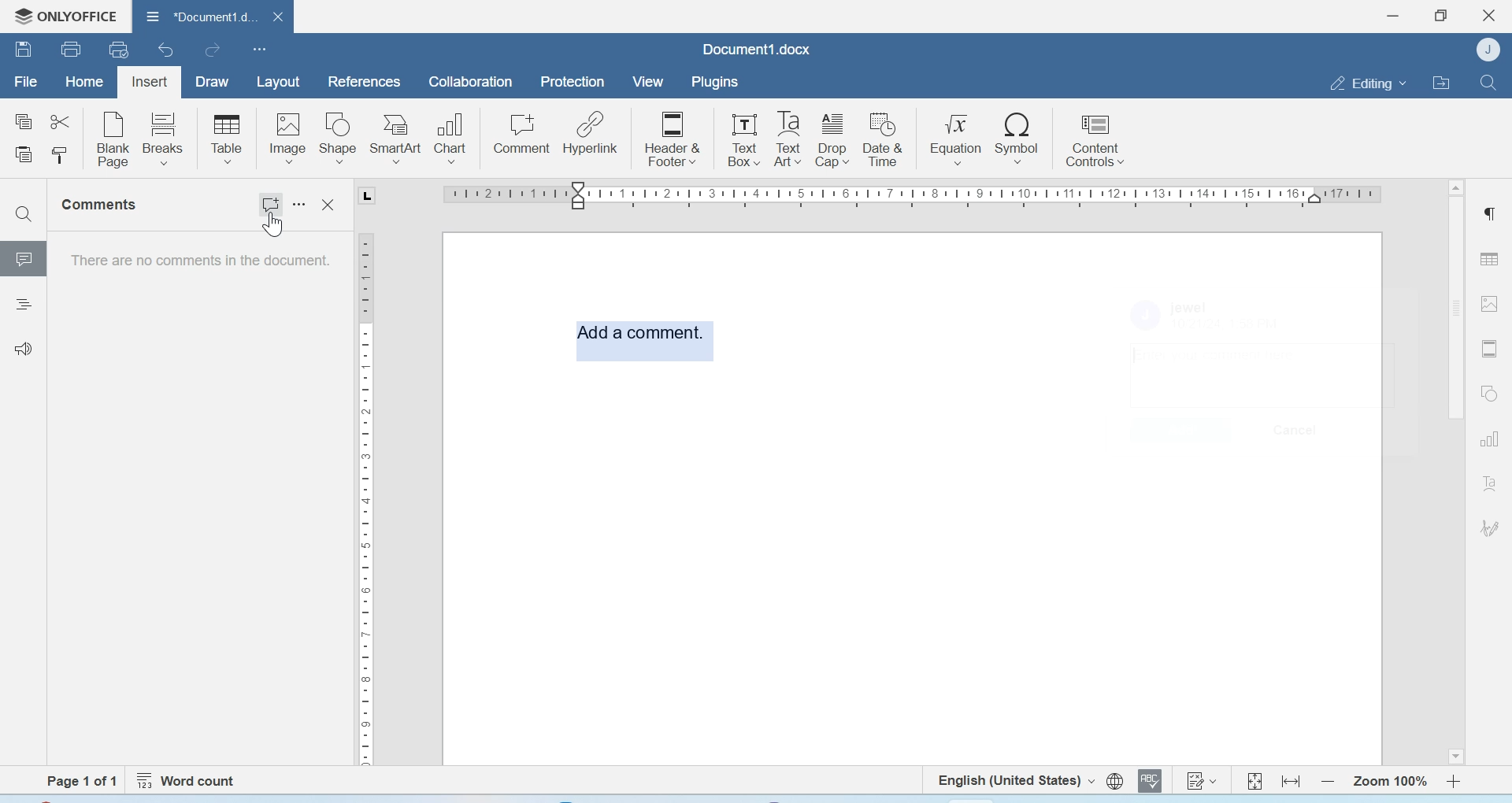 This screenshot has width=1512, height=803. I want to click on Word count, so click(189, 781).